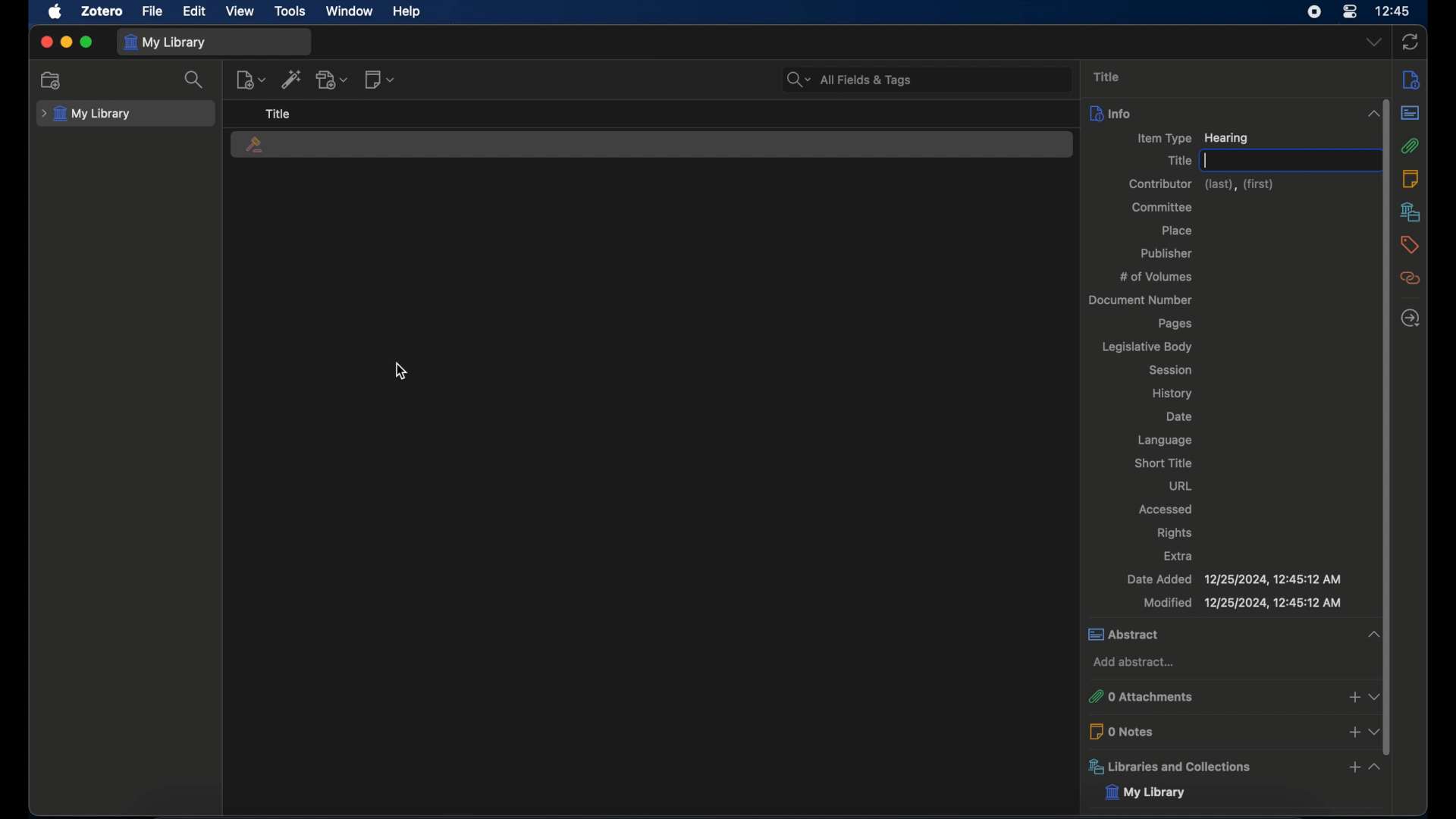 This screenshot has width=1456, height=819. Describe the element at coordinates (849, 80) in the screenshot. I see `search` at that location.